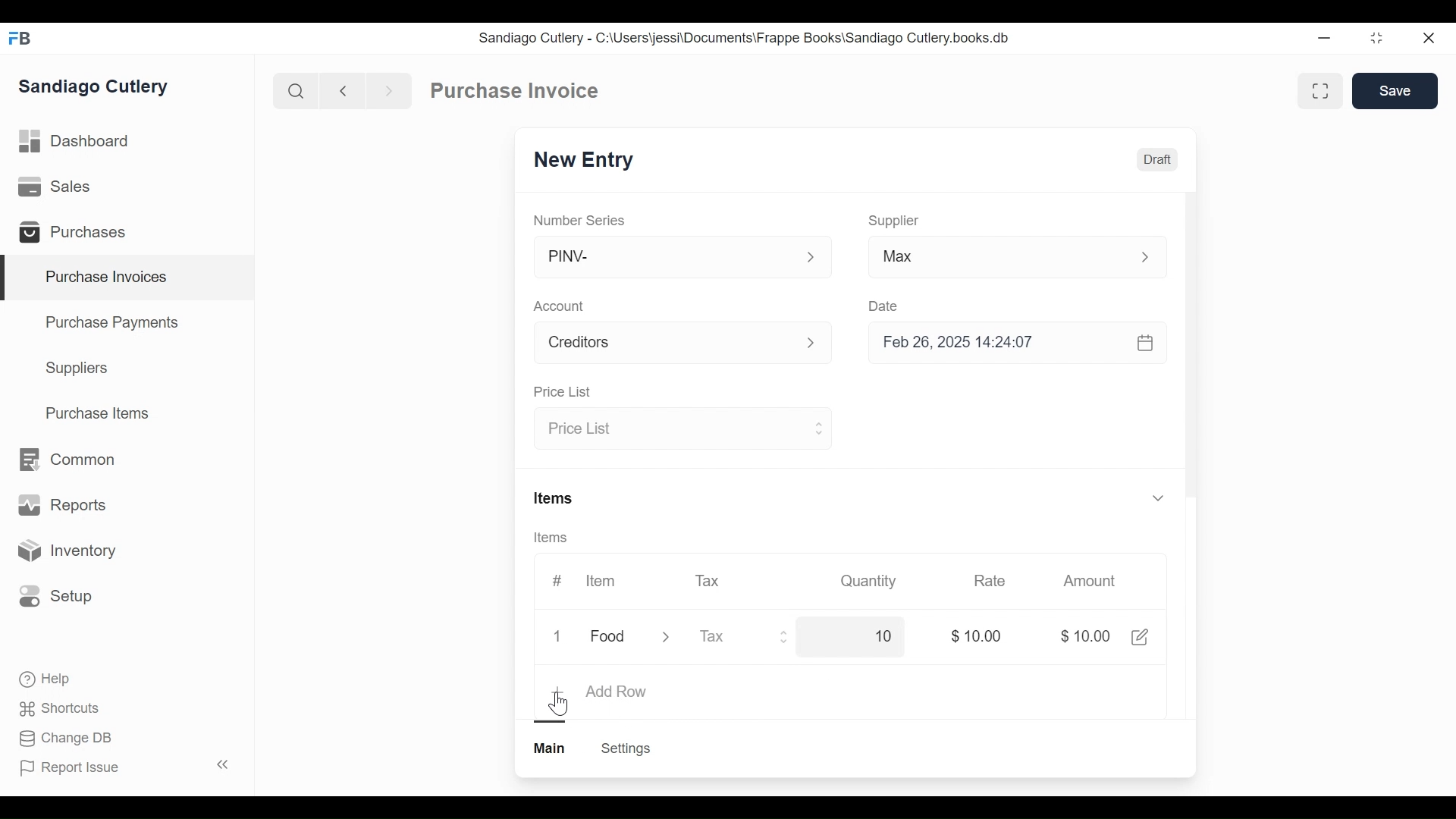  I want to click on Items, so click(555, 500).